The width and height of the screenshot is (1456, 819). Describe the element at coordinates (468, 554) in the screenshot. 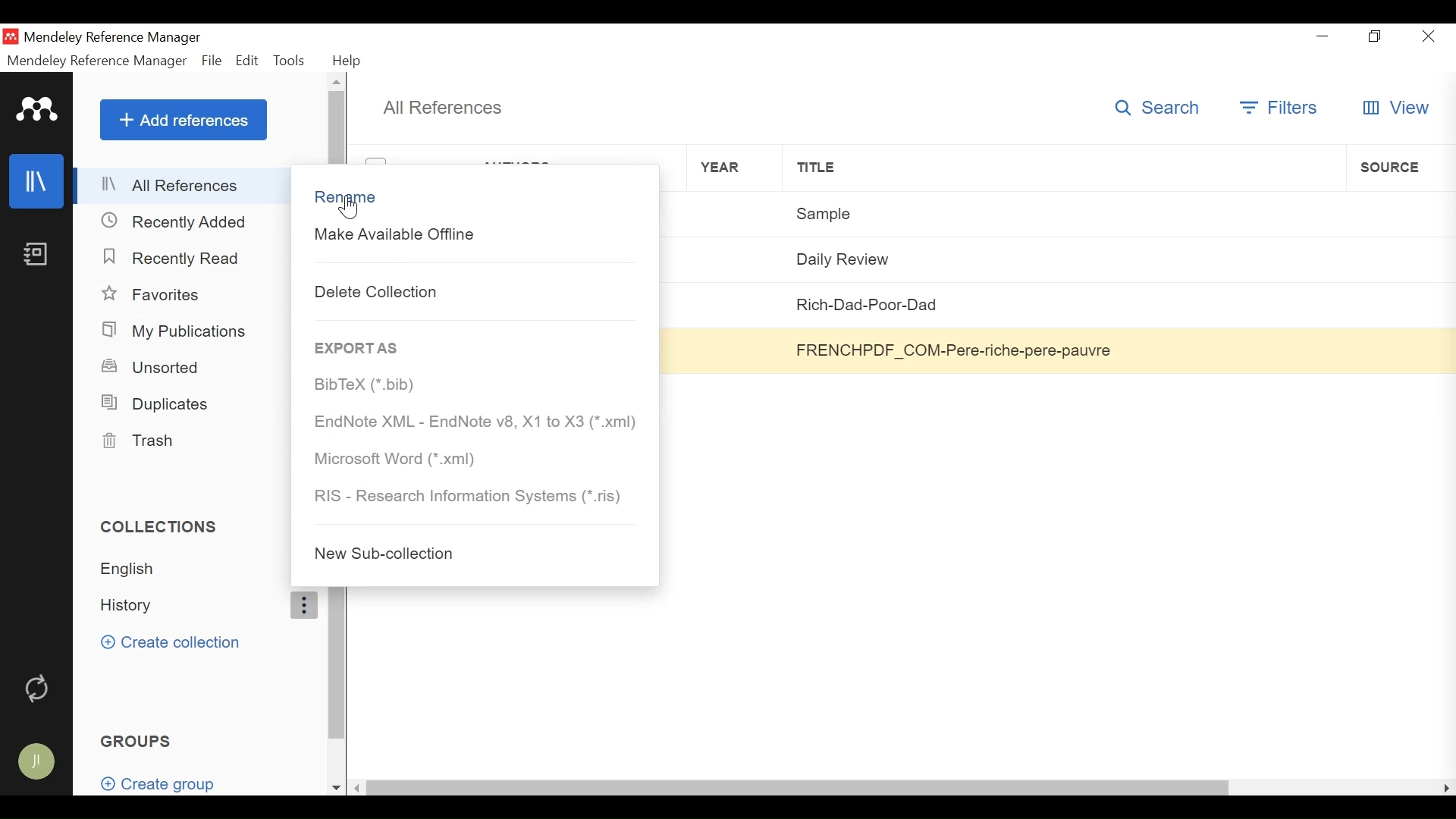

I see `New Sub-collection` at that location.